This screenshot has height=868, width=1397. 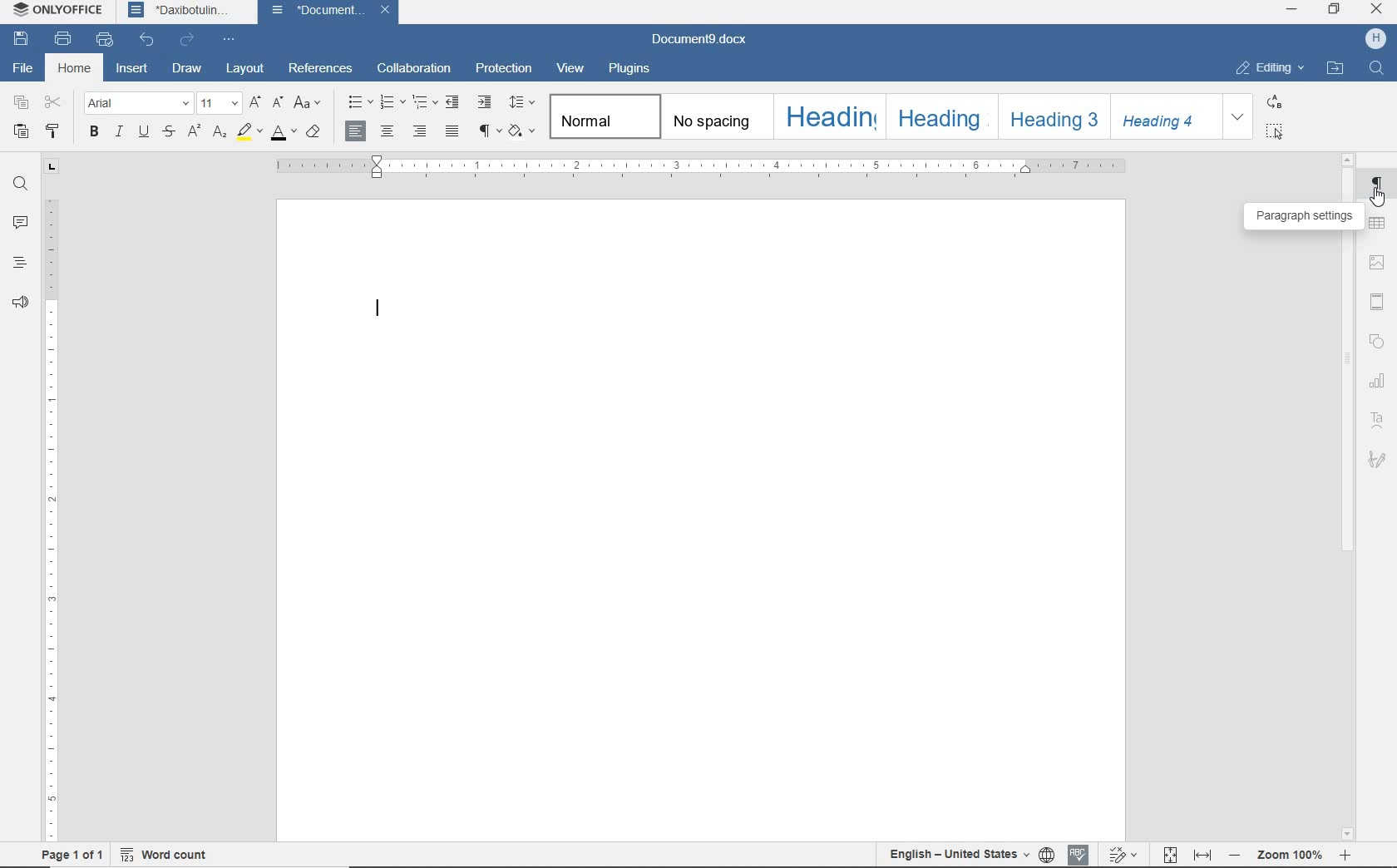 What do you see at coordinates (163, 854) in the screenshot?
I see `word count` at bounding box center [163, 854].